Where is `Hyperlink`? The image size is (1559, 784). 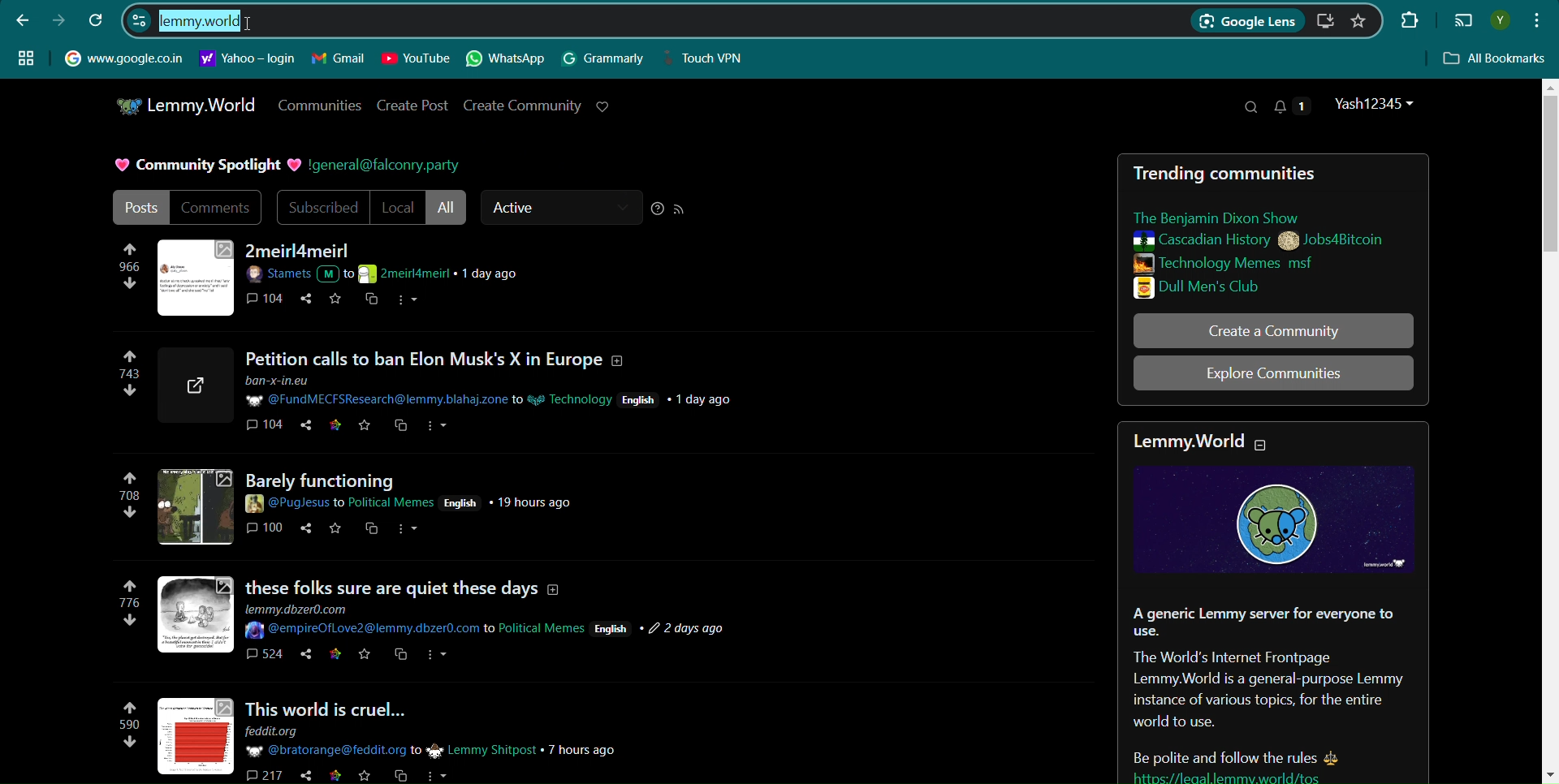
Hyperlink is located at coordinates (248, 58).